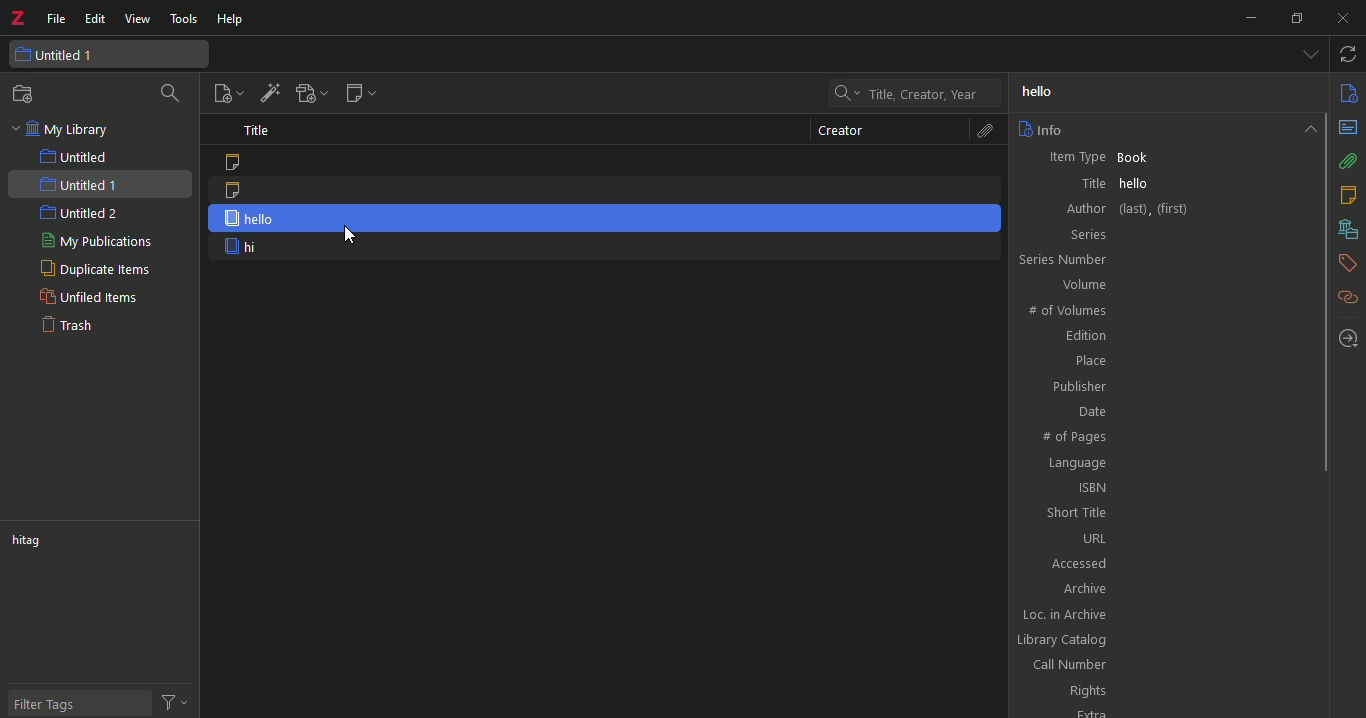  I want to click on cursor, so click(357, 235).